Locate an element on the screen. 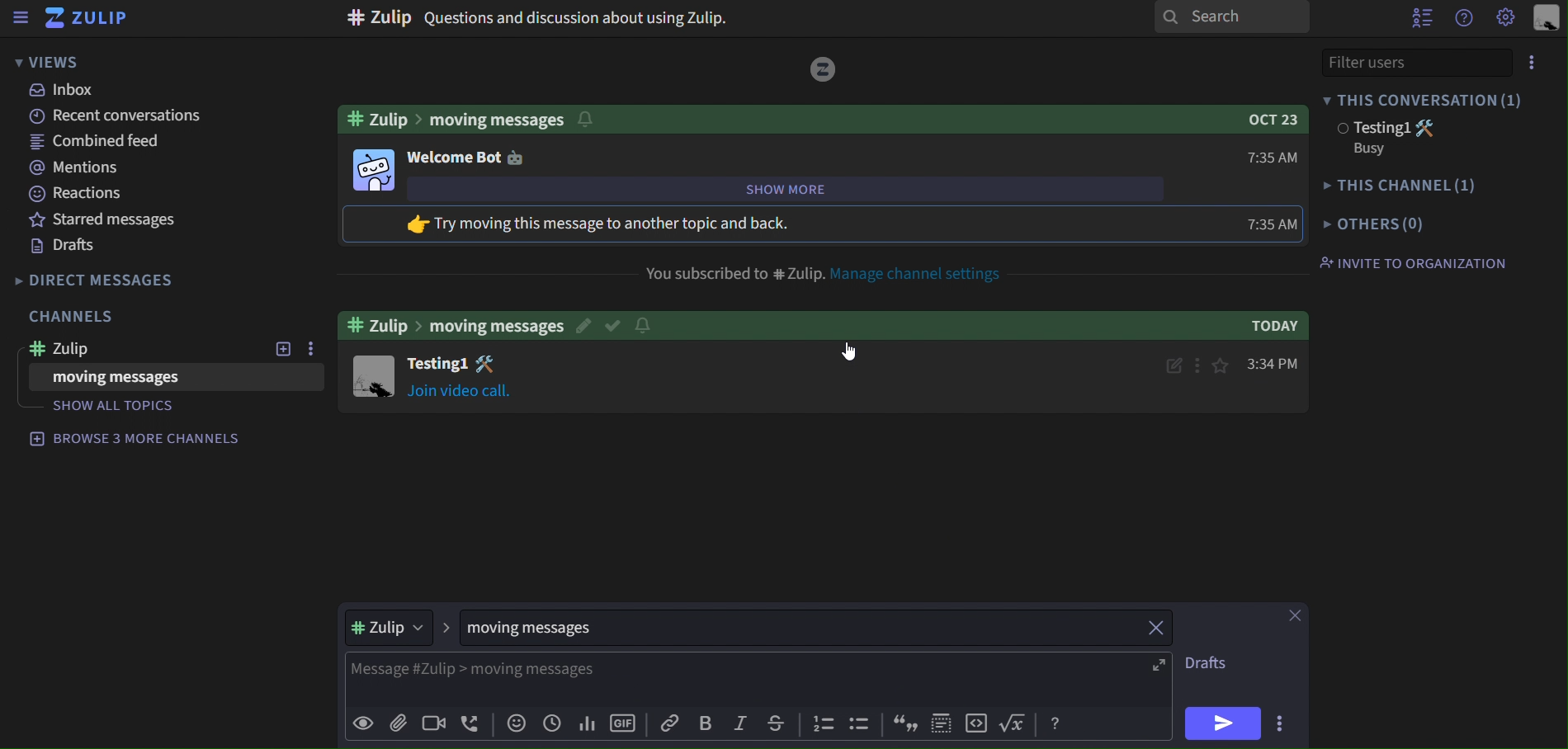 The width and height of the screenshot is (1568, 749). add voicecall is located at coordinates (470, 725).